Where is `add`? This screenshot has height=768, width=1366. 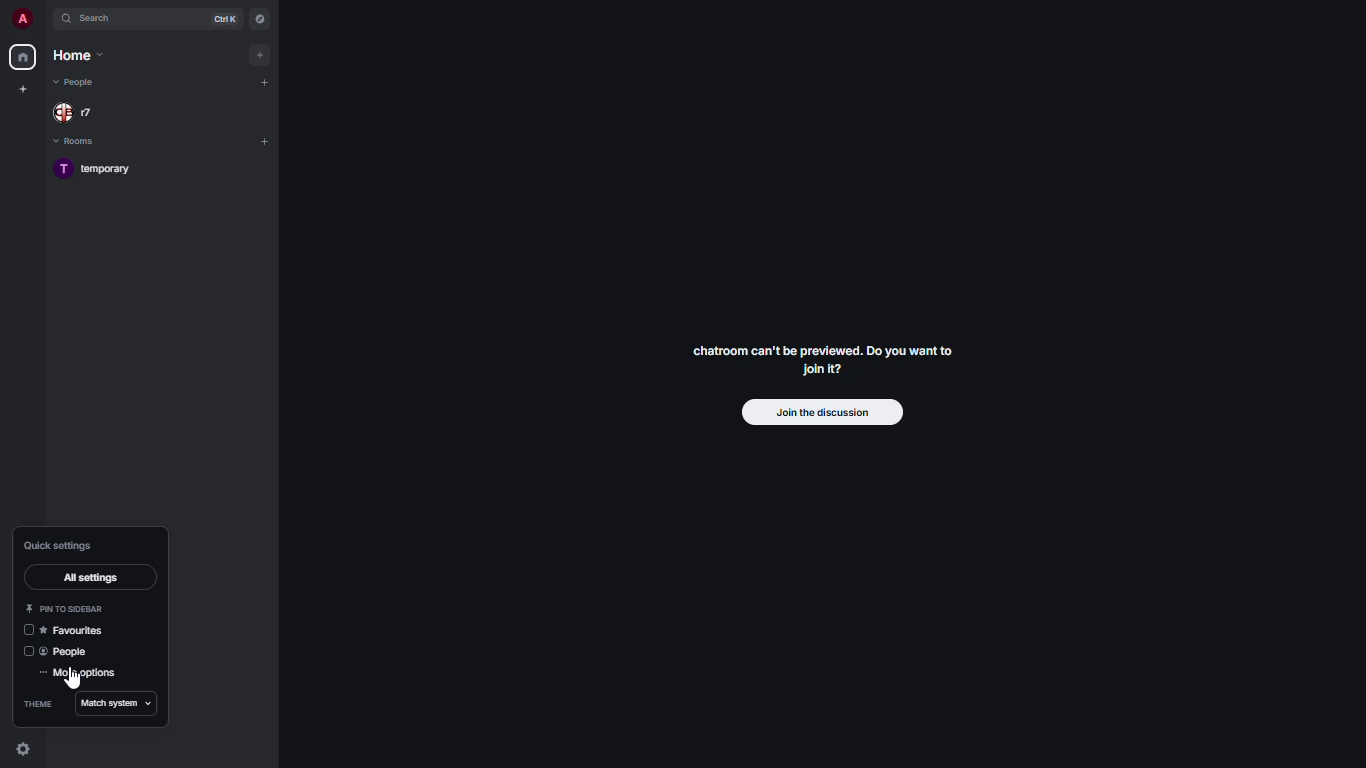 add is located at coordinates (269, 81).